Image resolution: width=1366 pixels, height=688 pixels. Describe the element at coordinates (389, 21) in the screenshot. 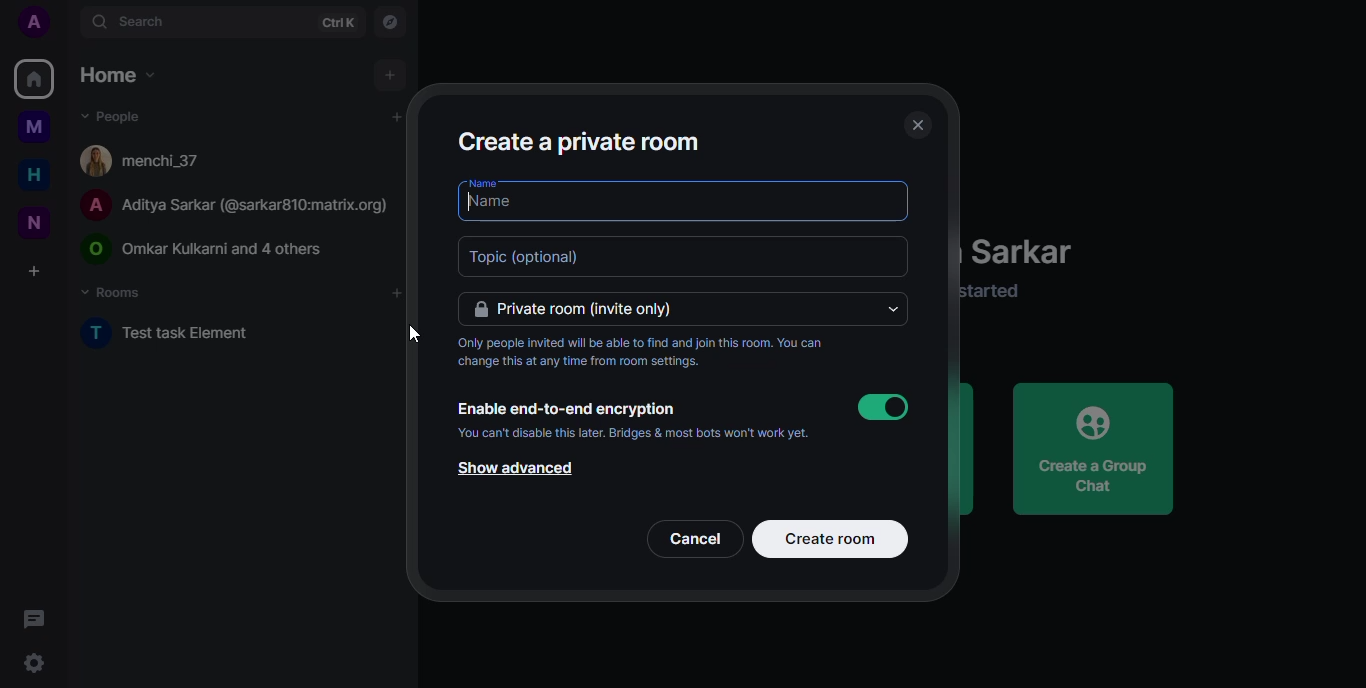

I see `navigator` at that location.